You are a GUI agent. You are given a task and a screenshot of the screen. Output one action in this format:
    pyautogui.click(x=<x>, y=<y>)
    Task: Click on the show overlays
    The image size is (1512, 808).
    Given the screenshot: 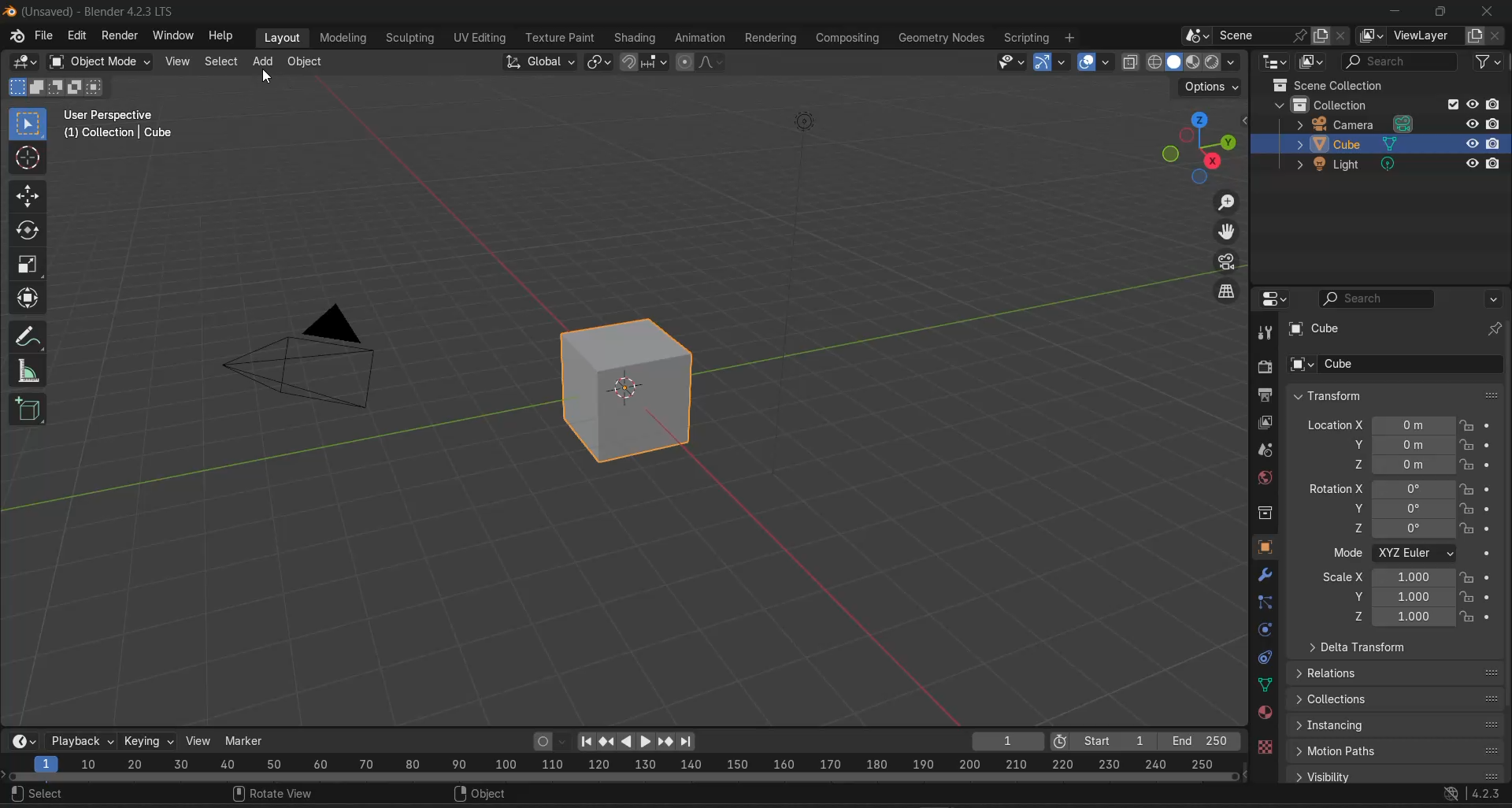 What is the action you would take?
    pyautogui.click(x=1088, y=61)
    